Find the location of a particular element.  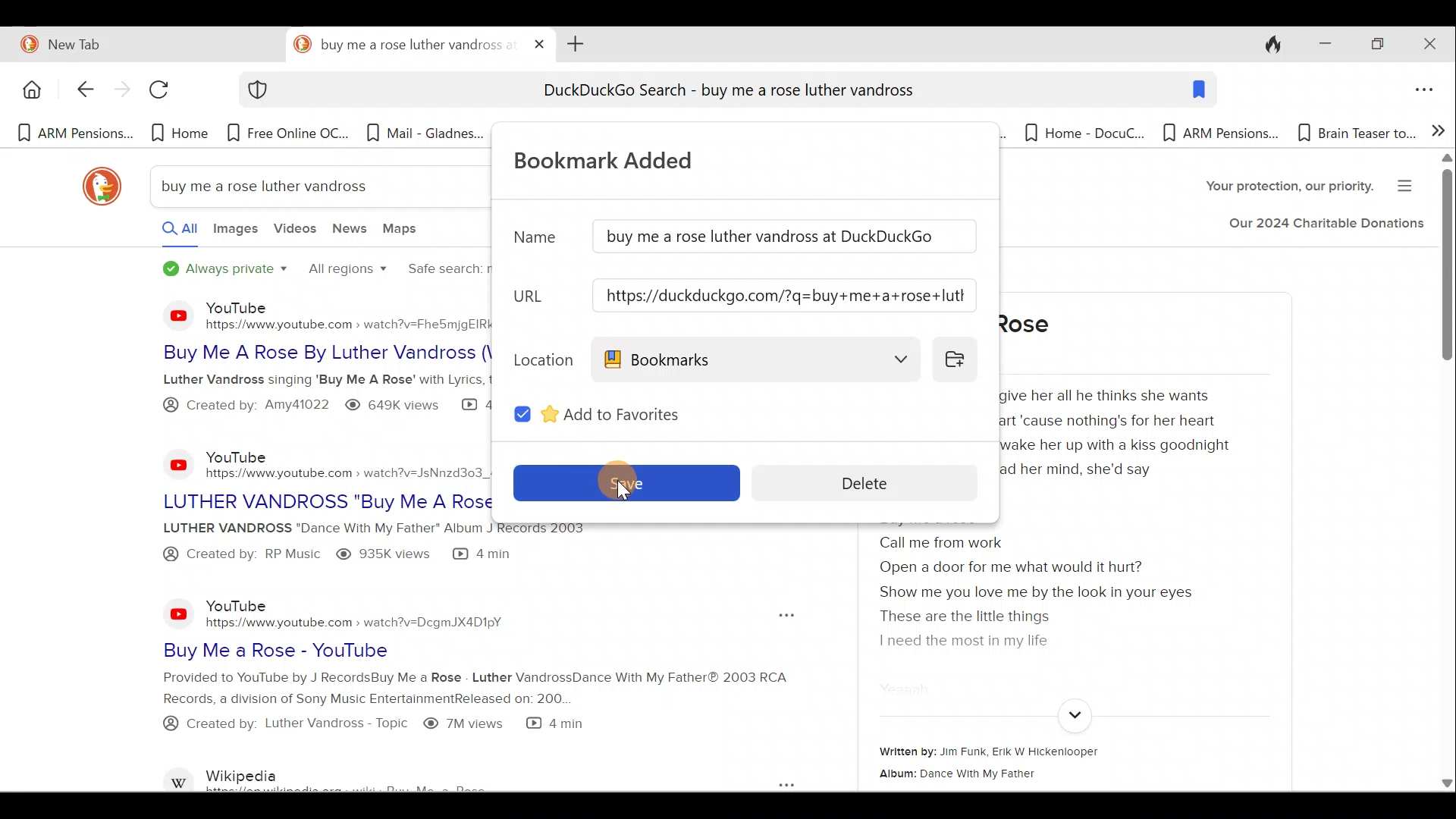

Click here to change location is located at coordinates (959, 358).